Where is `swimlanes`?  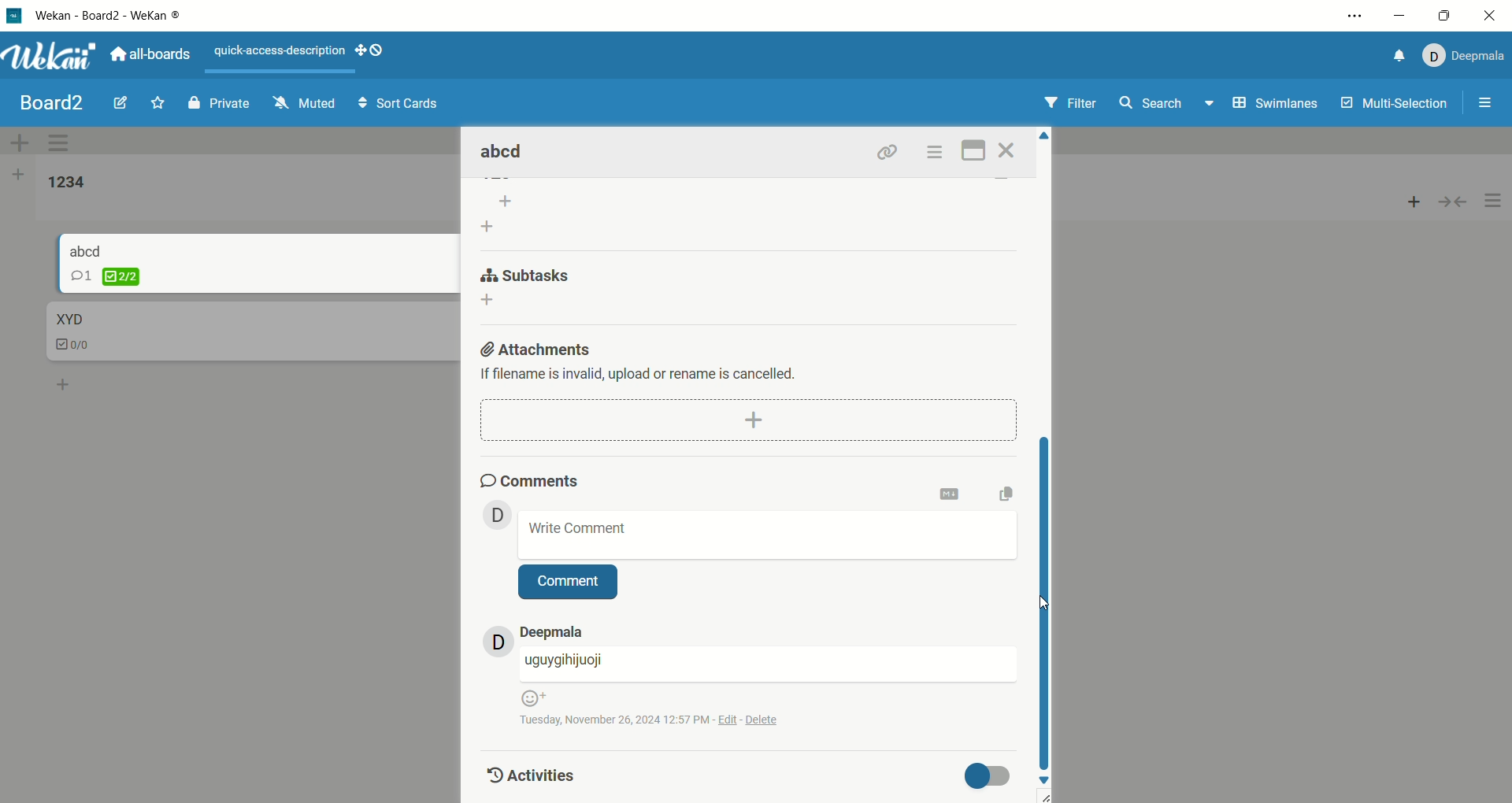 swimlanes is located at coordinates (1277, 105).